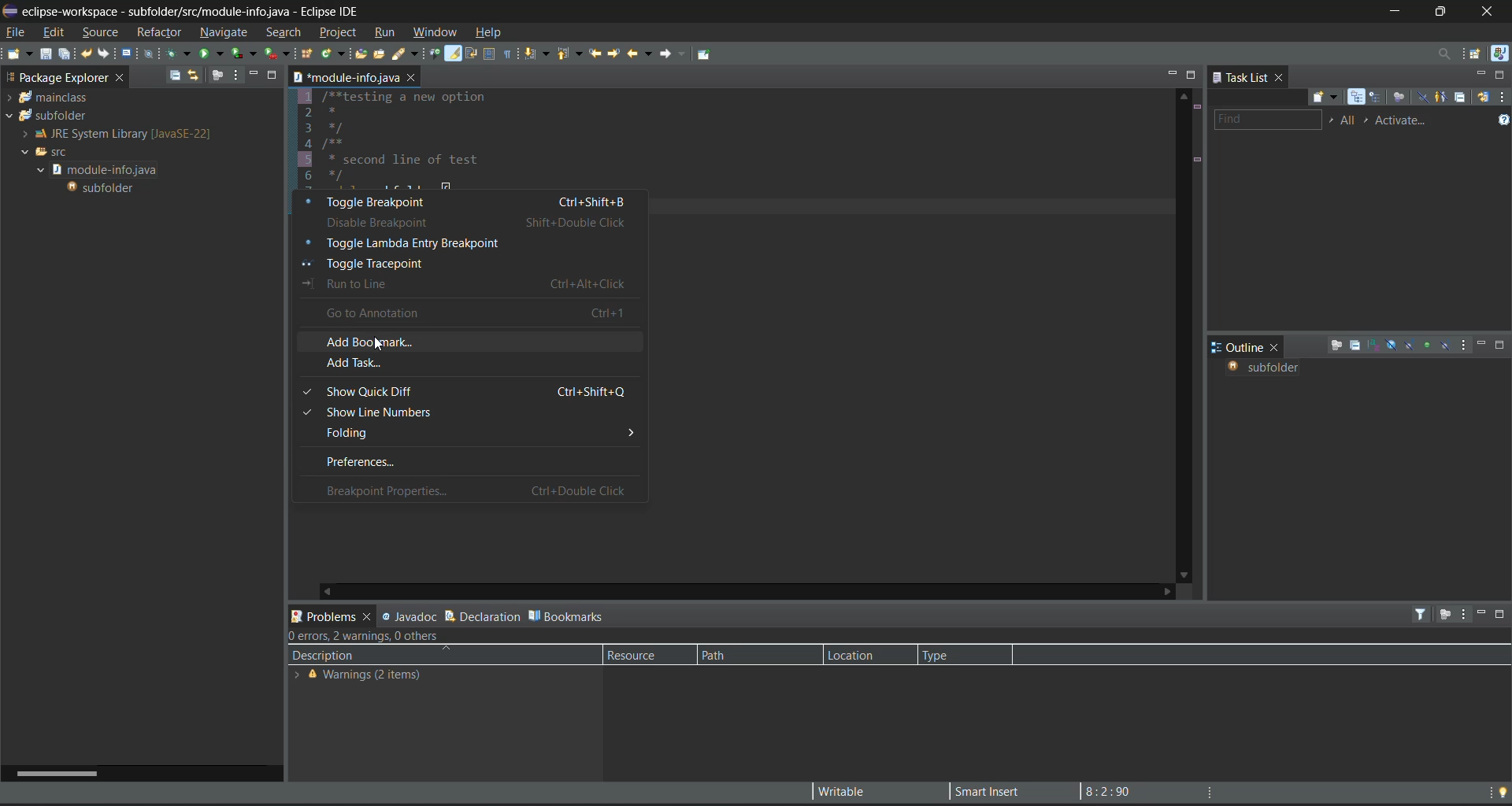 Image resolution: width=1512 pixels, height=806 pixels. I want to click on 1 /**testing a new option  2* 3 */ 4 /** 5* second line of test 6 */ , so click(424, 140).